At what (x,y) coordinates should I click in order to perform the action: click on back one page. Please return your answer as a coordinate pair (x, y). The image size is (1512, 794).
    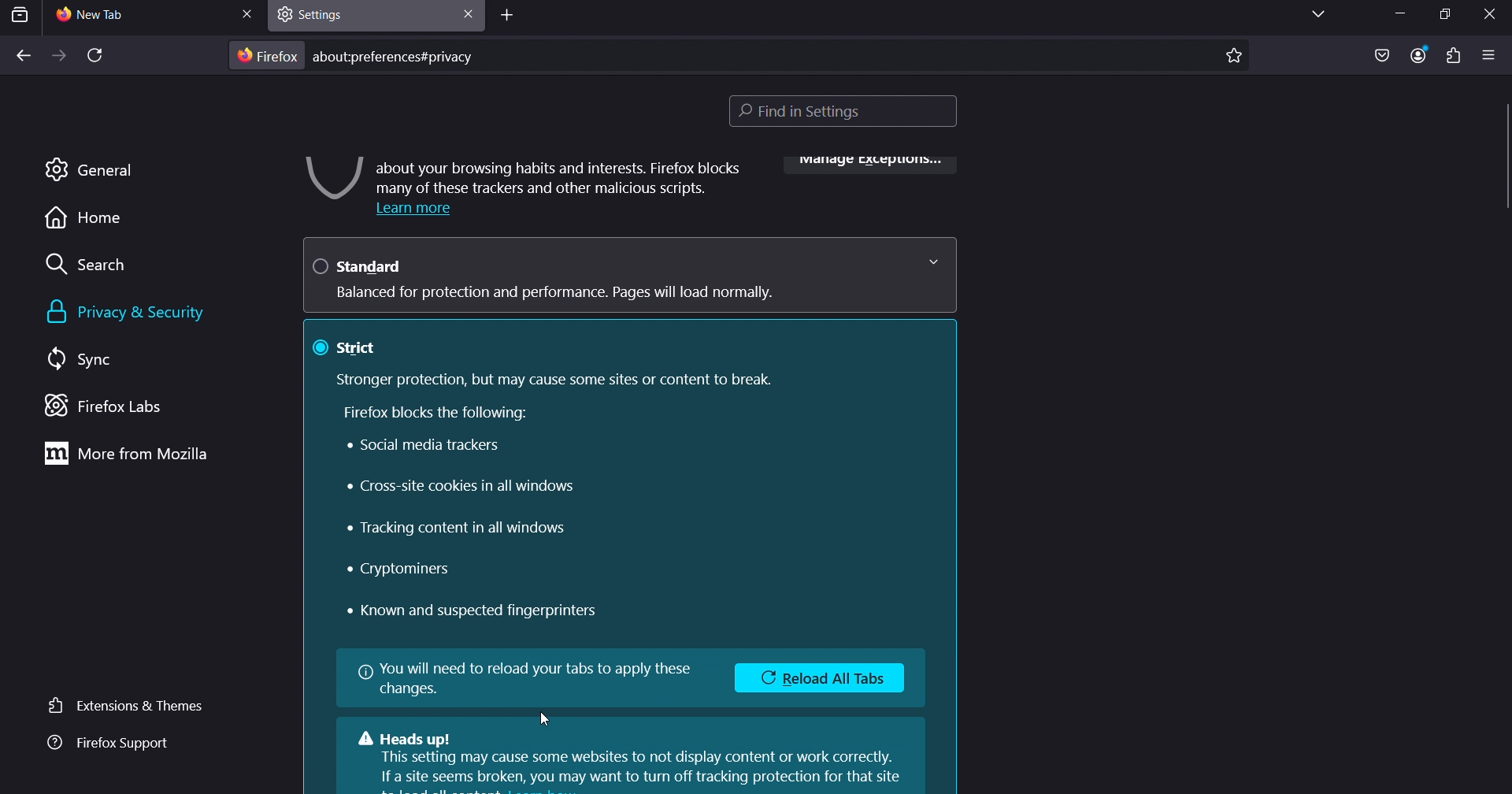
    Looking at the image, I should click on (23, 57).